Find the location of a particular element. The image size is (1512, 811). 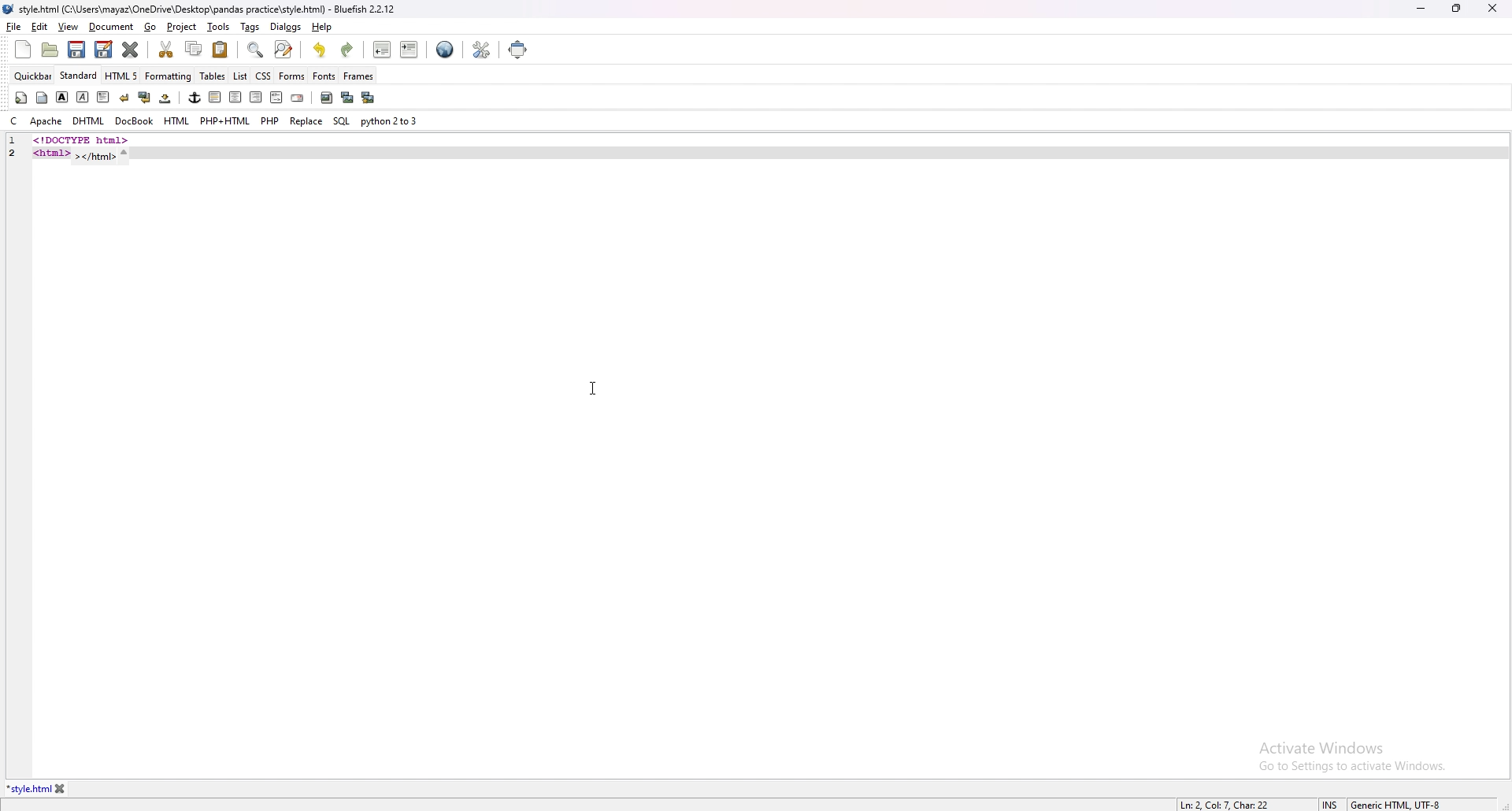

apache is located at coordinates (46, 121).